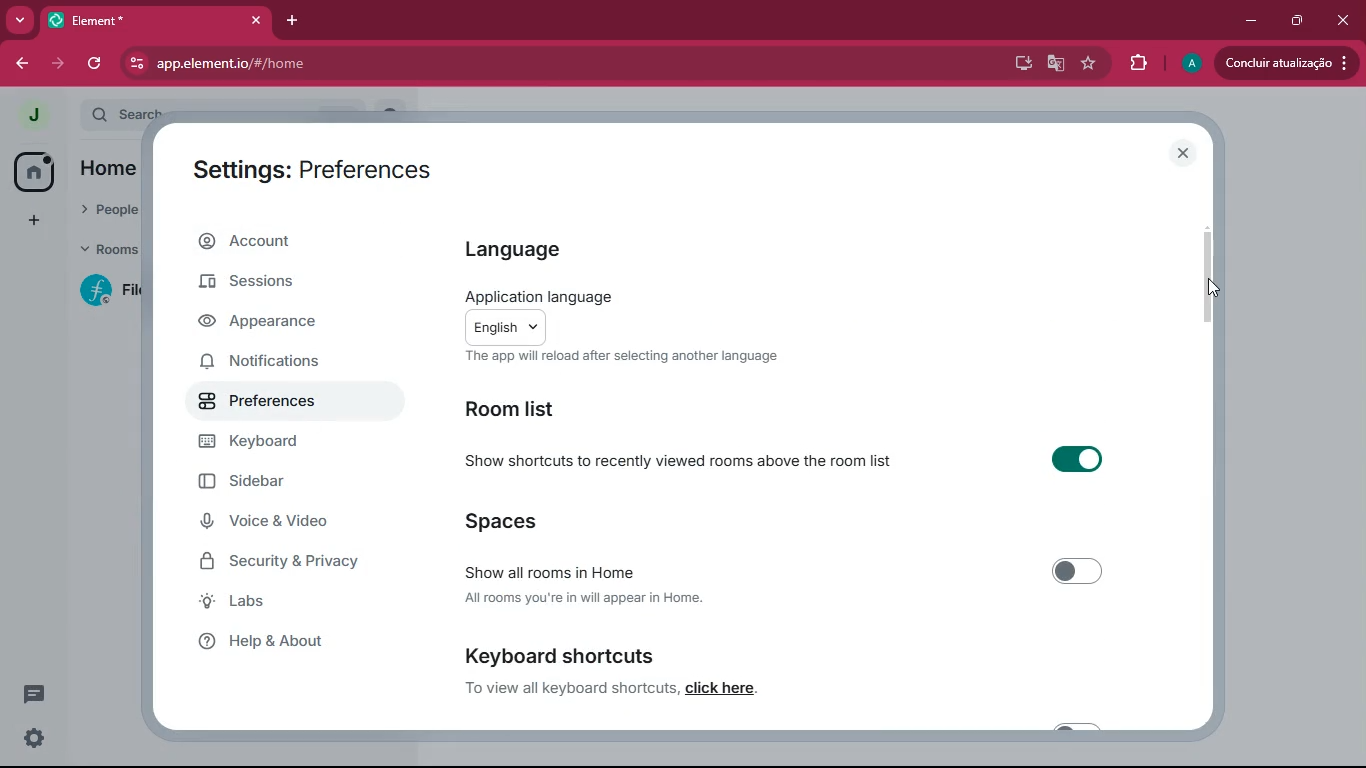 The height and width of the screenshot is (768, 1366). What do you see at coordinates (506, 327) in the screenshot?
I see `english` at bounding box center [506, 327].